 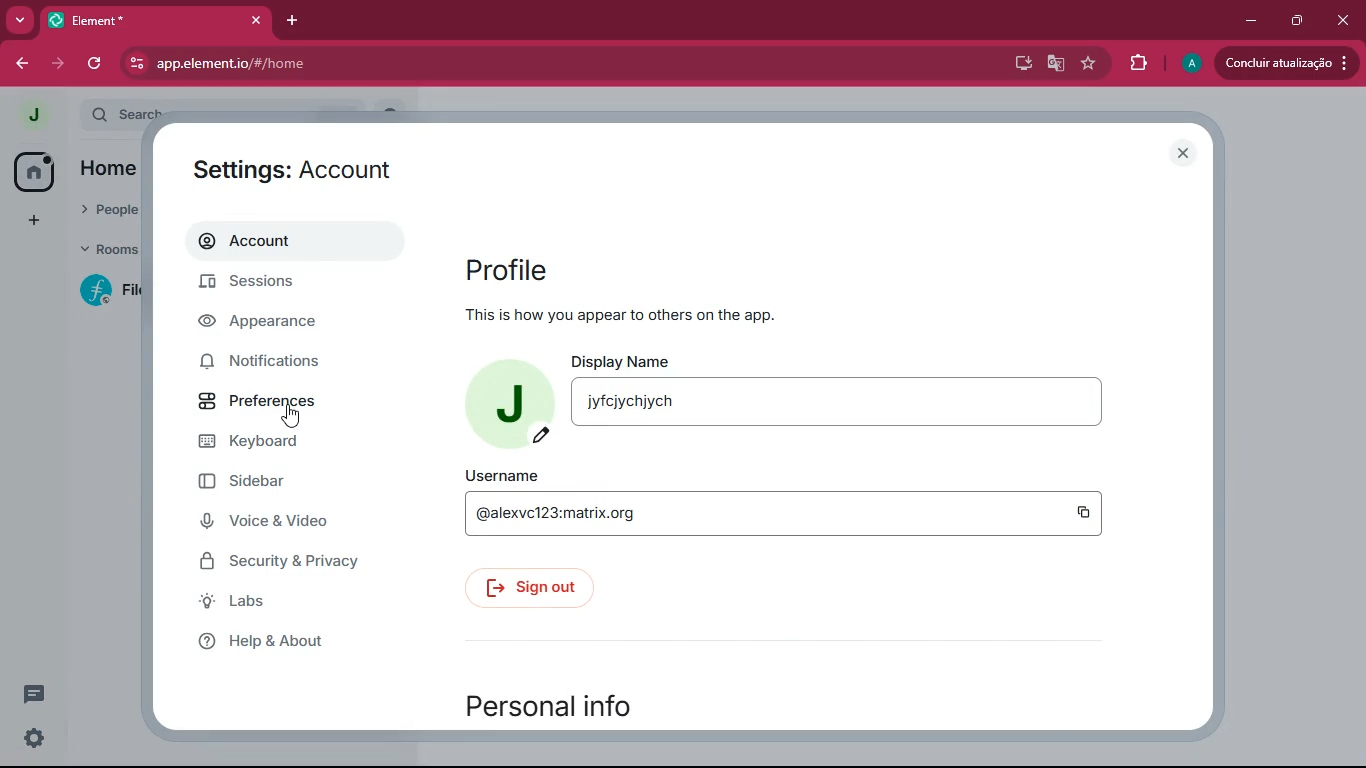 What do you see at coordinates (290, 242) in the screenshot?
I see `account` at bounding box center [290, 242].